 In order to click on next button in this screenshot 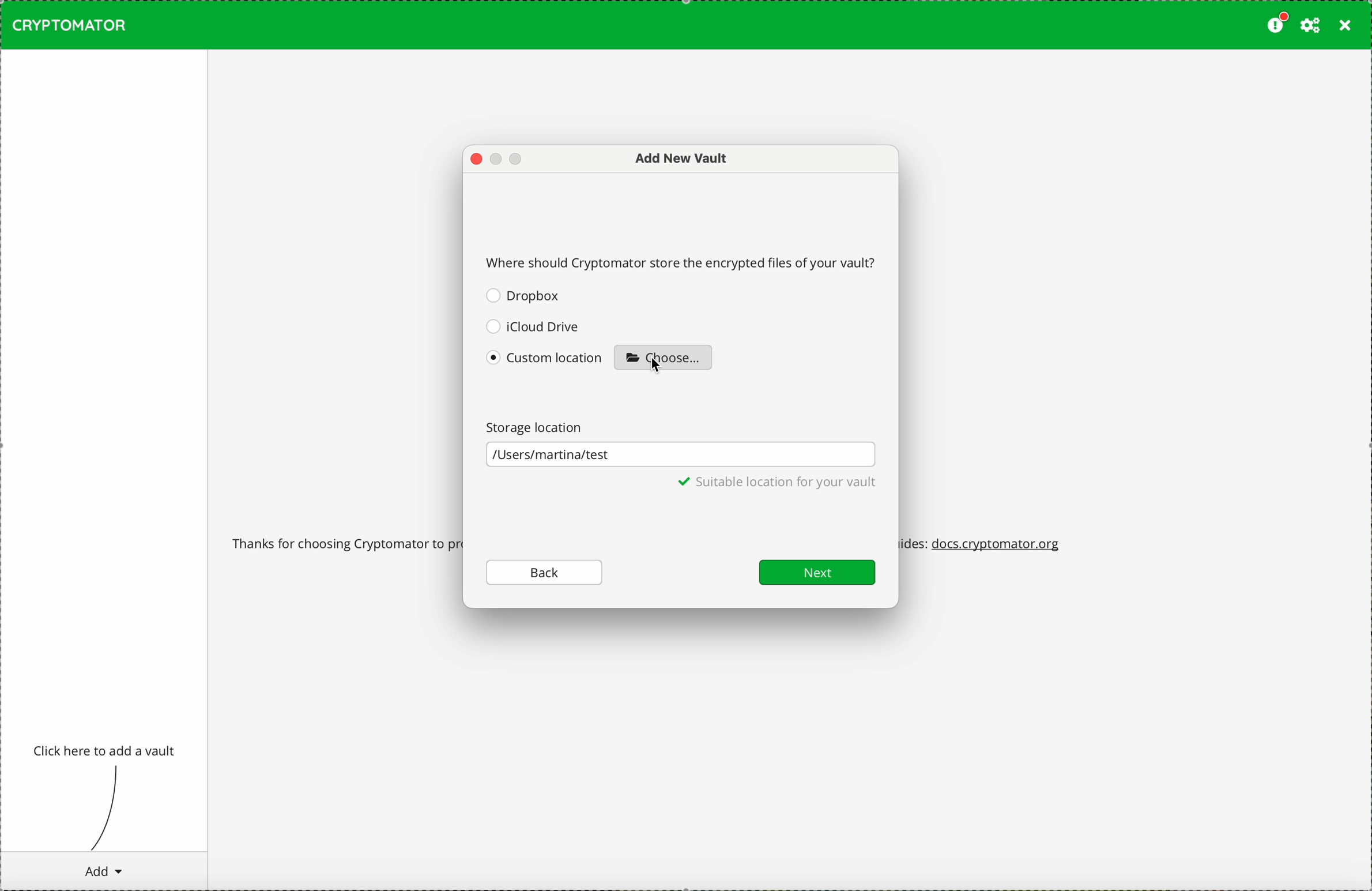, I will do `click(817, 572)`.